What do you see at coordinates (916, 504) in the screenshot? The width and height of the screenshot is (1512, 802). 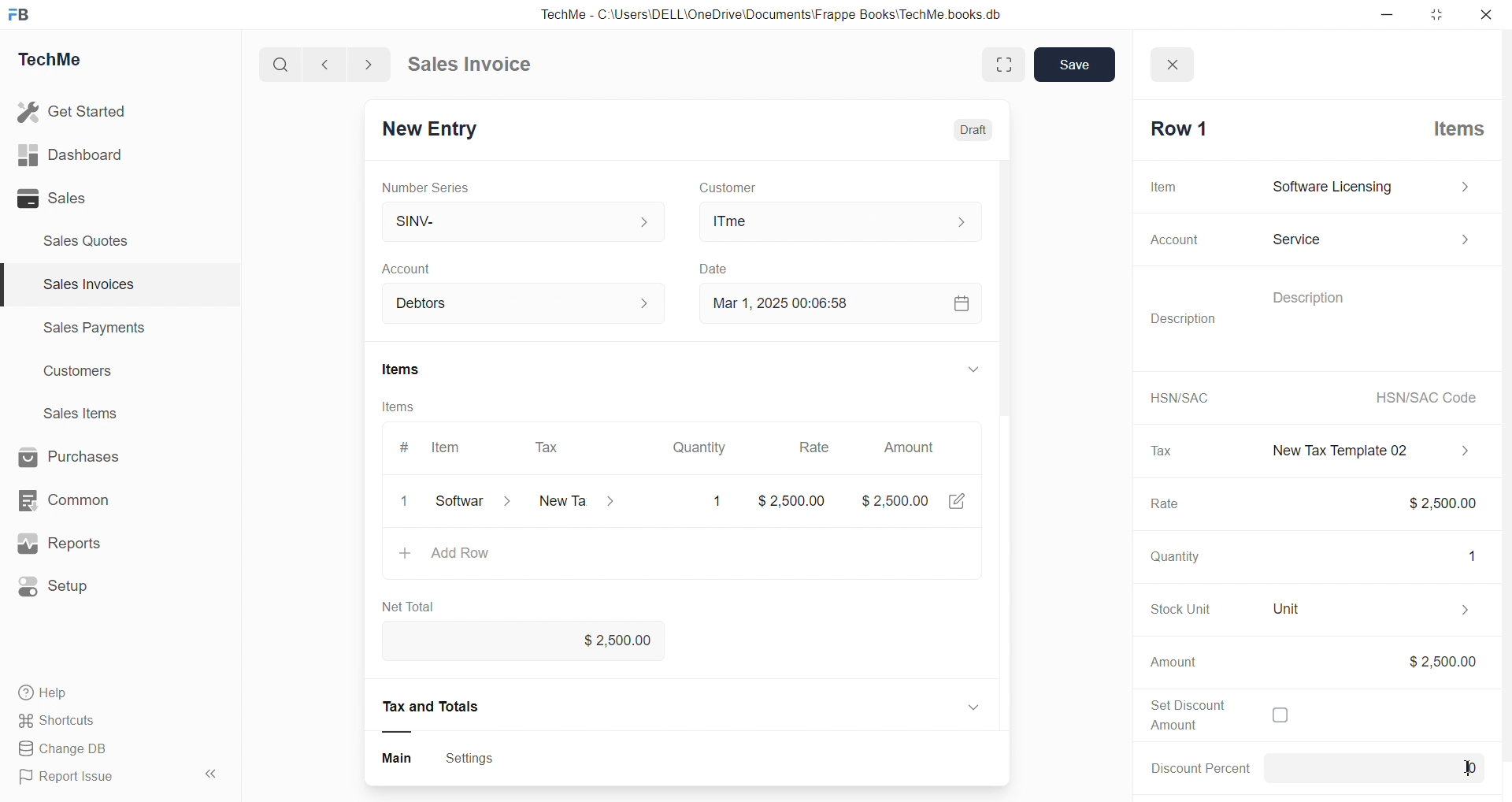 I see `$2,500.00 [4` at bounding box center [916, 504].